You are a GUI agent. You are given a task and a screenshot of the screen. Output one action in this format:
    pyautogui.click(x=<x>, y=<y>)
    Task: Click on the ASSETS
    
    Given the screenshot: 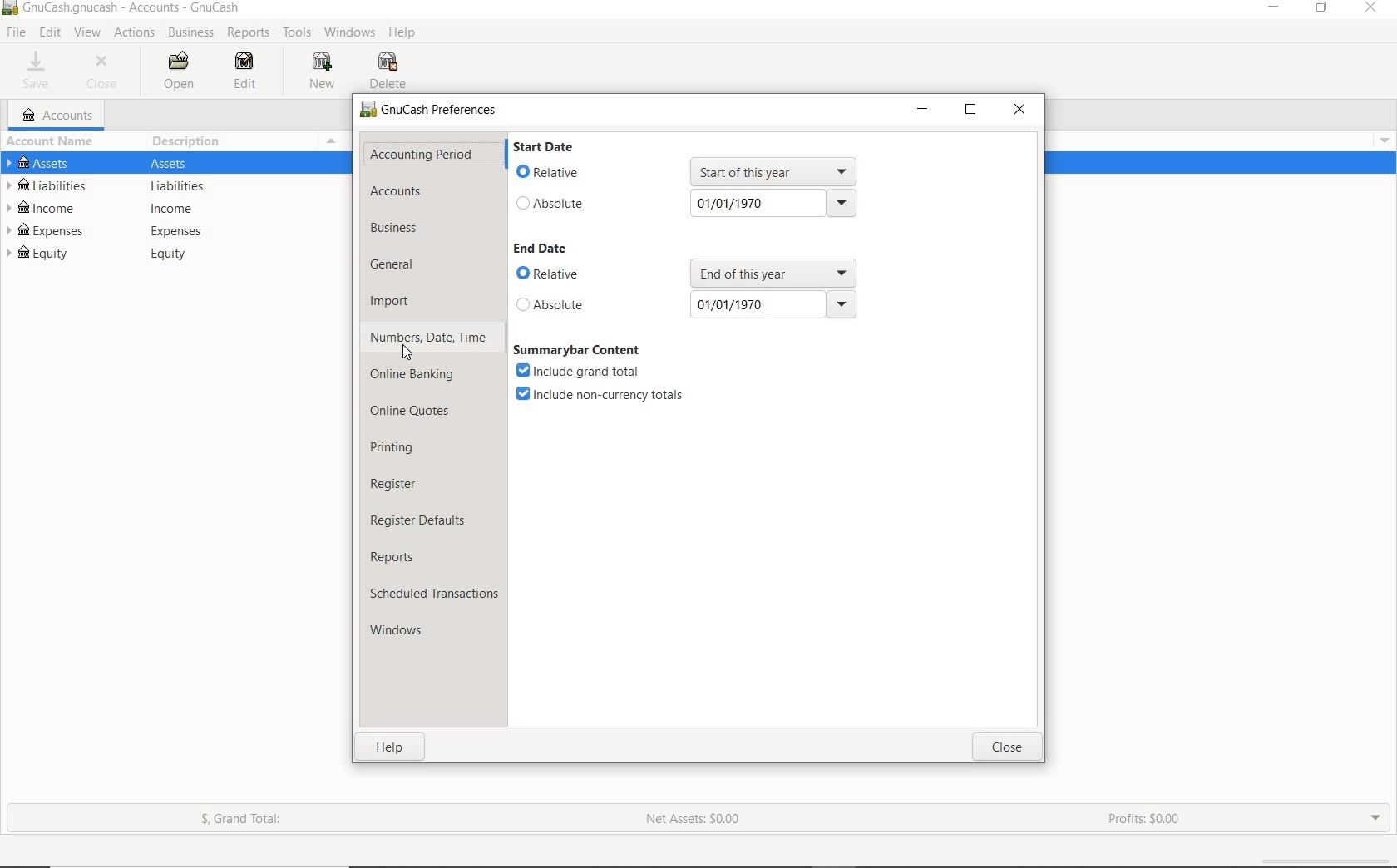 What is the action you would take?
    pyautogui.click(x=175, y=165)
    